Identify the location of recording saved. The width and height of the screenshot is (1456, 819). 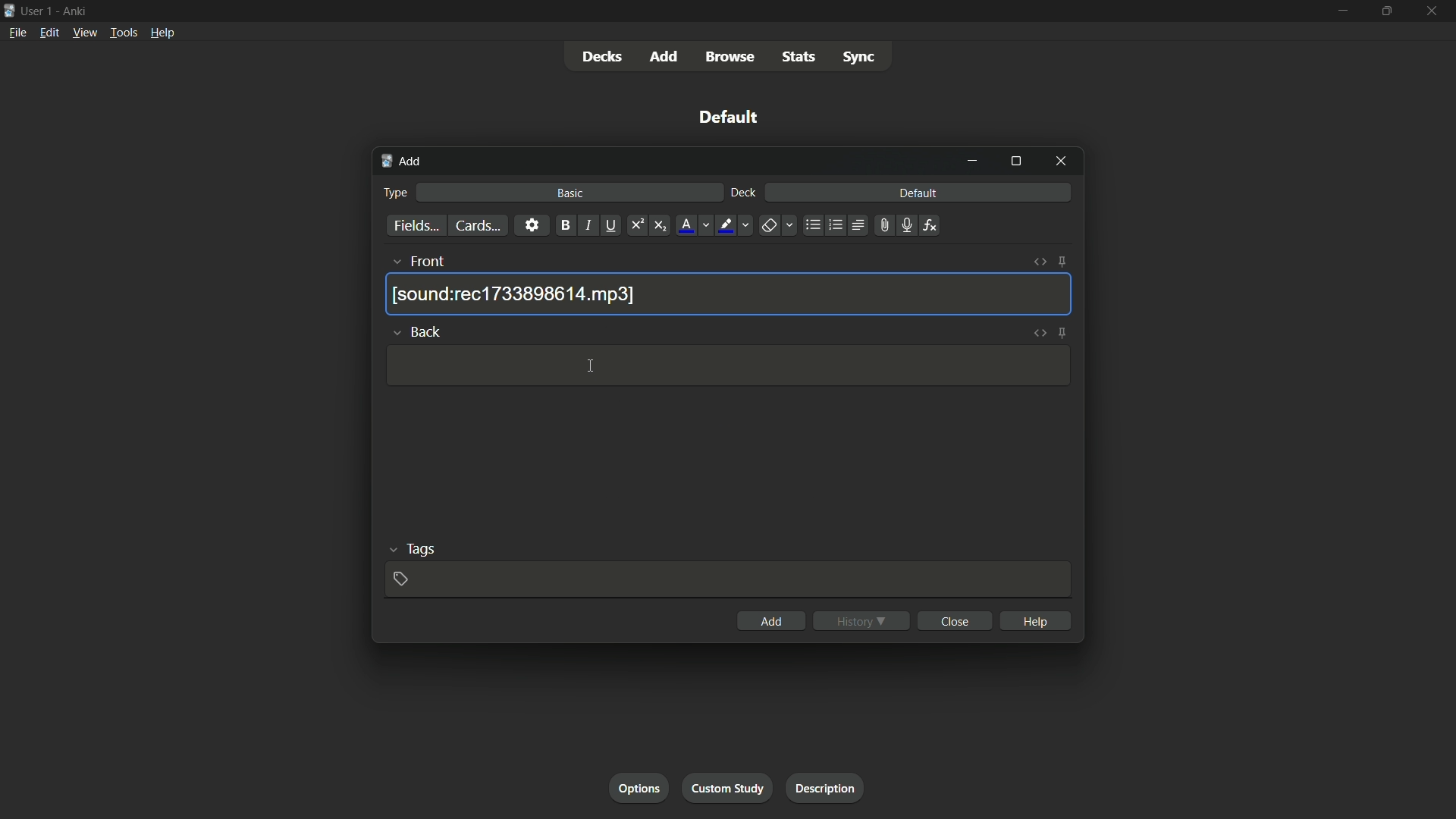
(516, 294).